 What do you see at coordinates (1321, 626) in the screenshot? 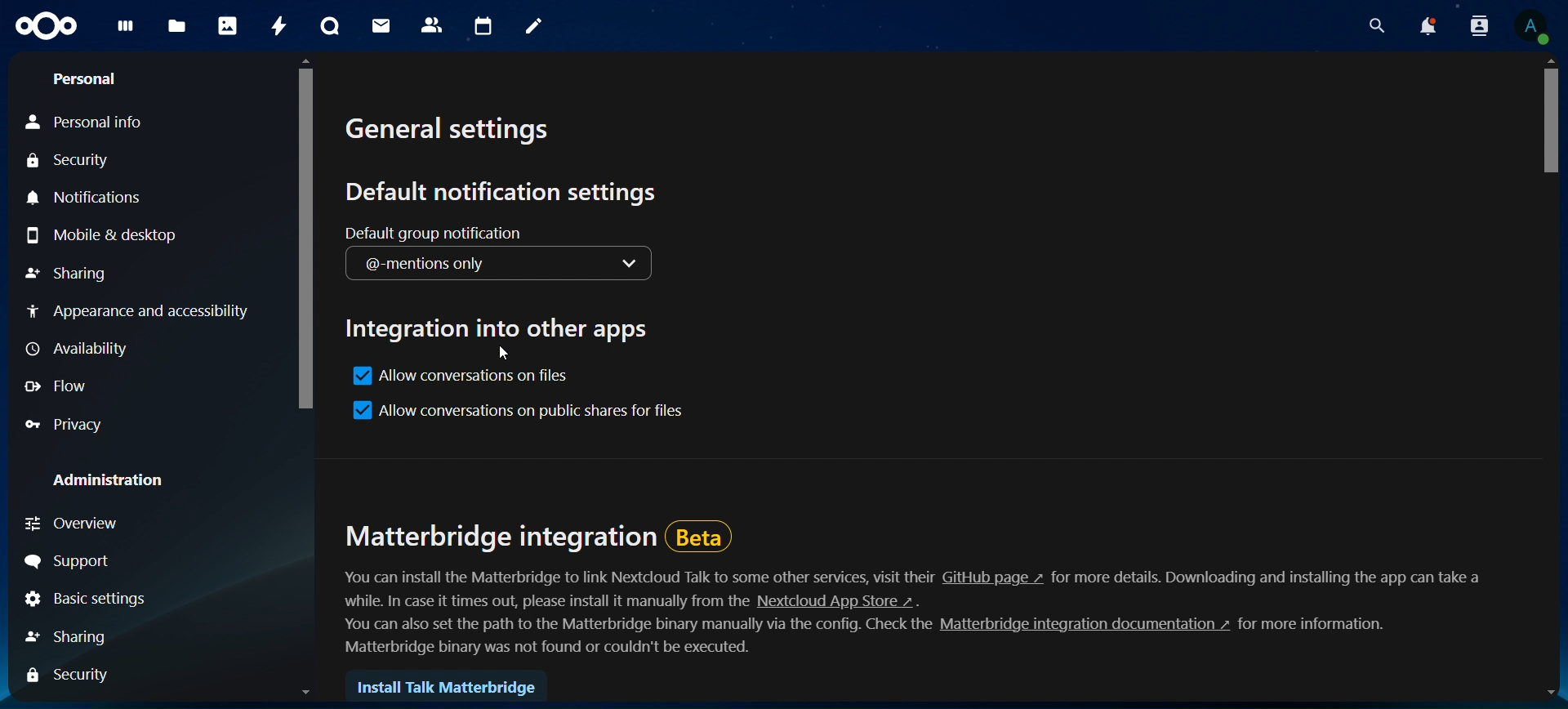
I see `text` at bounding box center [1321, 626].